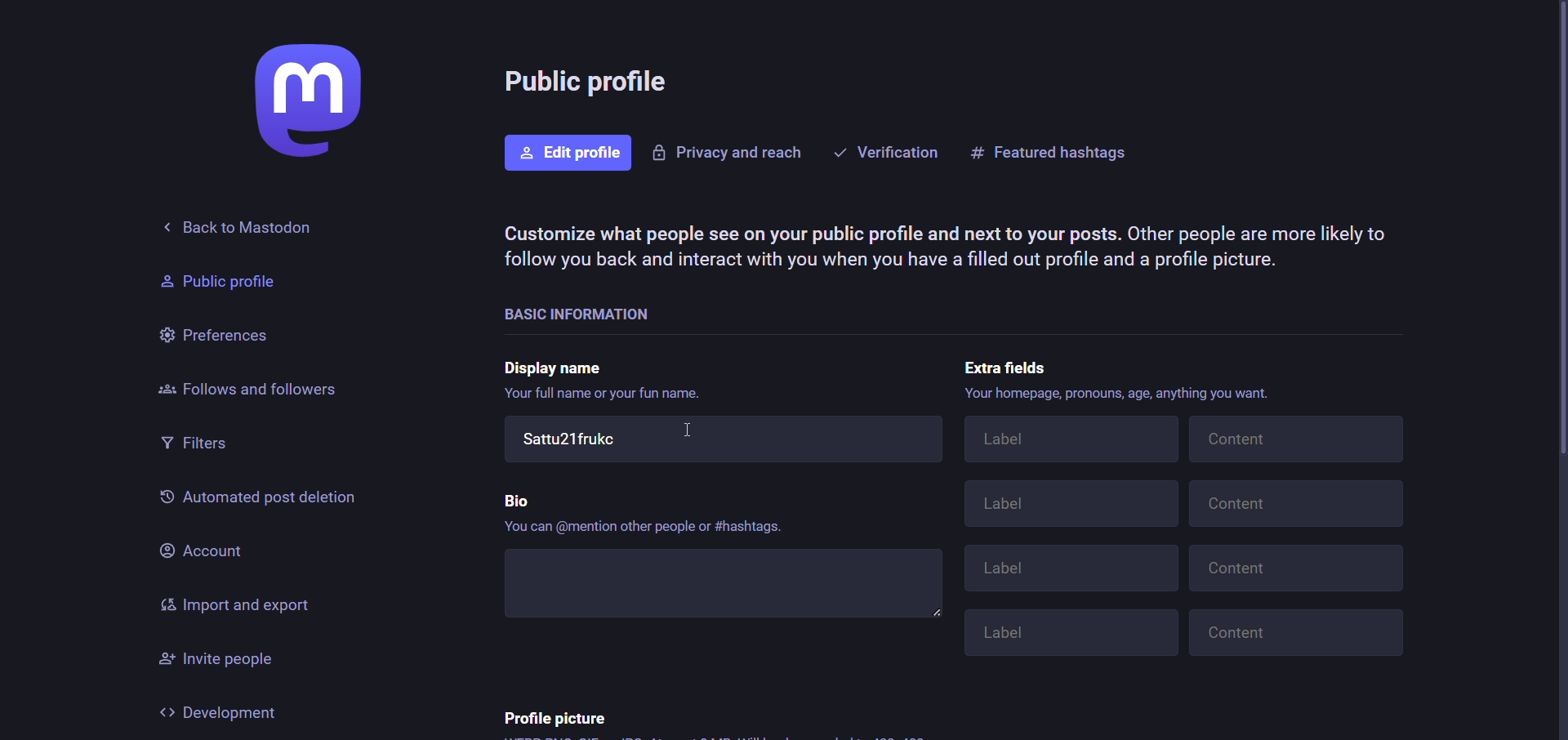 Image resolution: width=1568 pixels, height=740 pixels. What do you see at coordinates (215, 332) in the screenshot?
I see `preferences` at bounding box center [215, 332].